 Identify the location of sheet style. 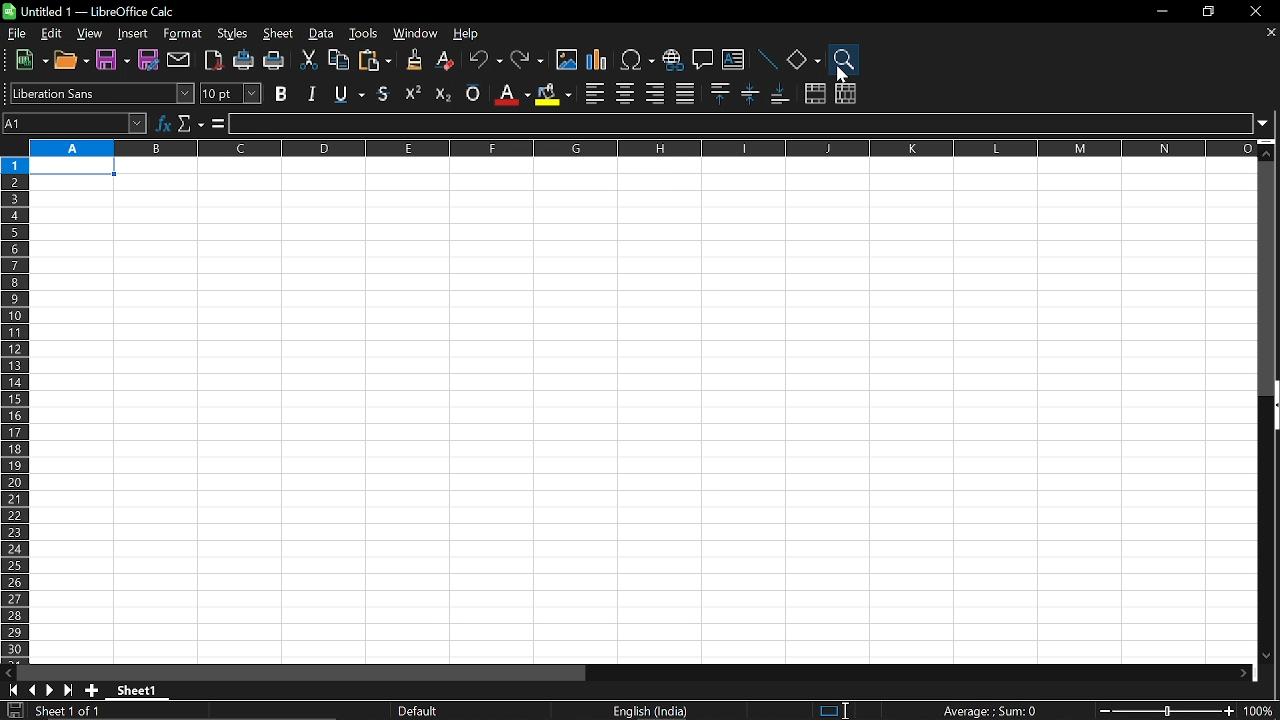
(421, 711).